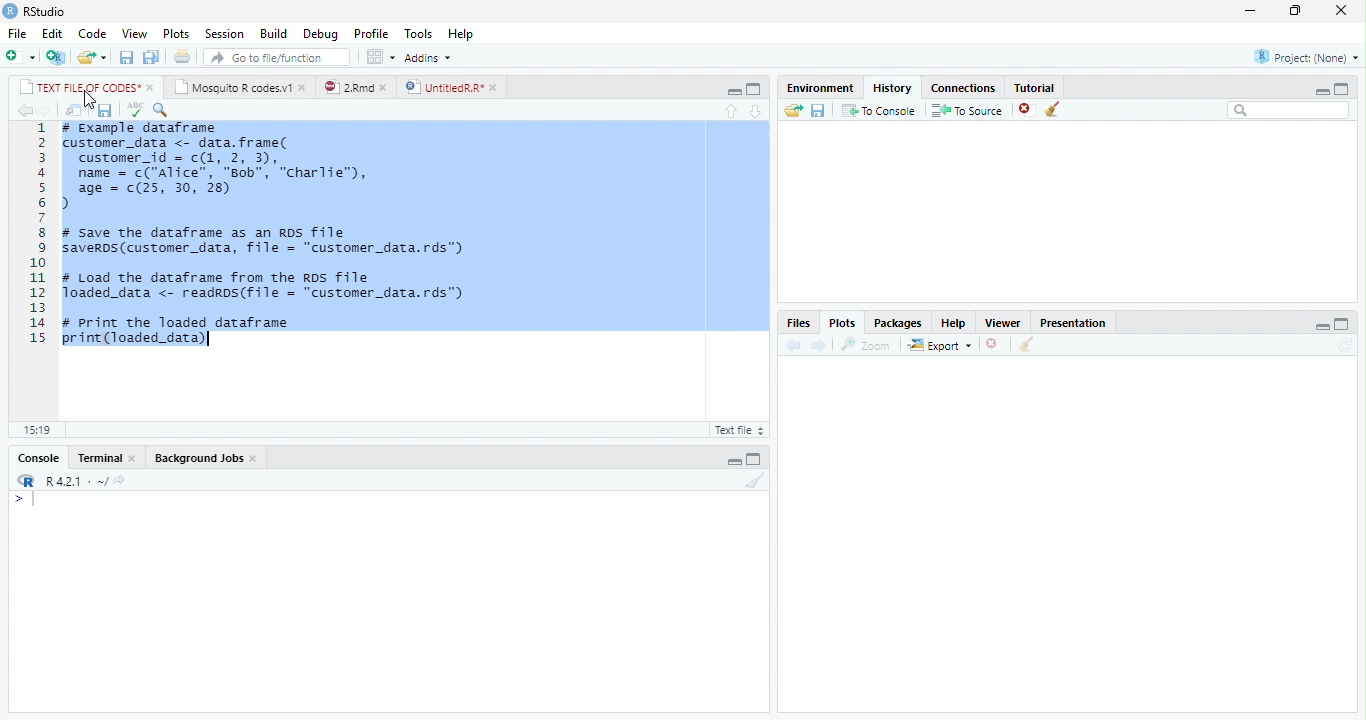  Describe the element at coordinates (92, 57) in the screenshot. I see `open file` at that location.